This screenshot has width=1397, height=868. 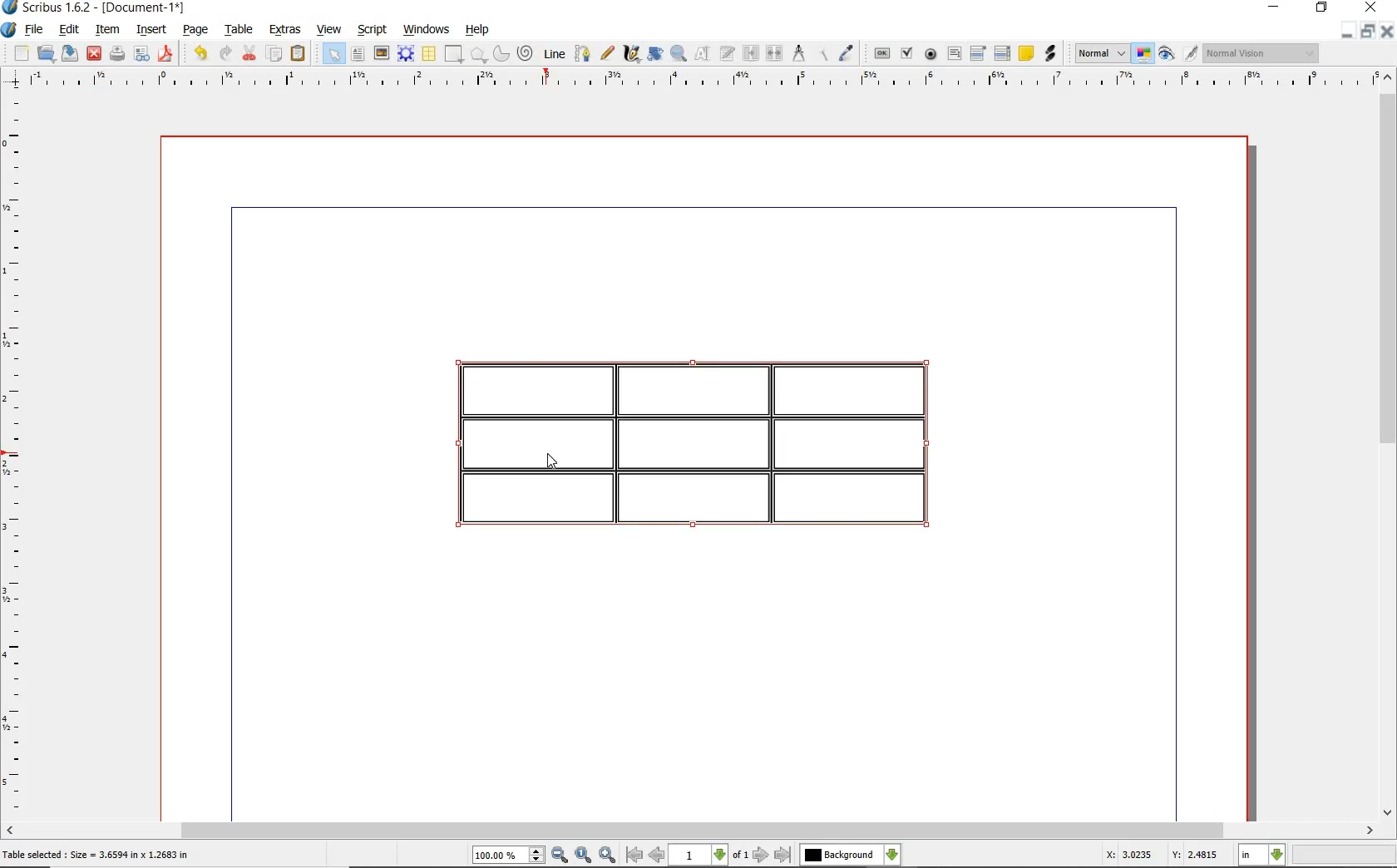 What do you see at coordinates (1369, 30) in the screenshot?
I see `RESTORE` at bounding box center [1369, 30].